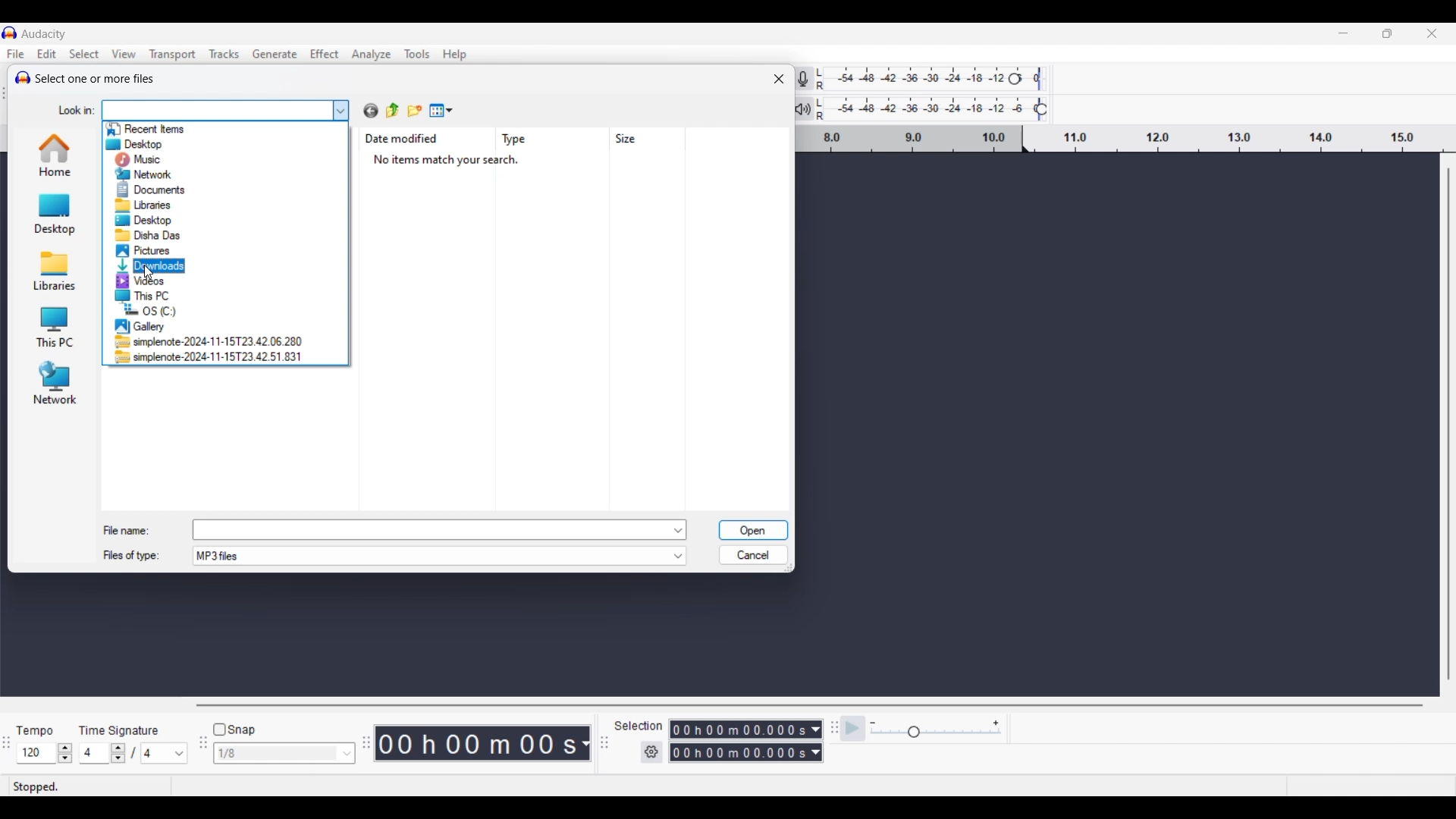 The width and height of the screenshot is (1456, 819). I want to click on Downloads, so click(158, 265).